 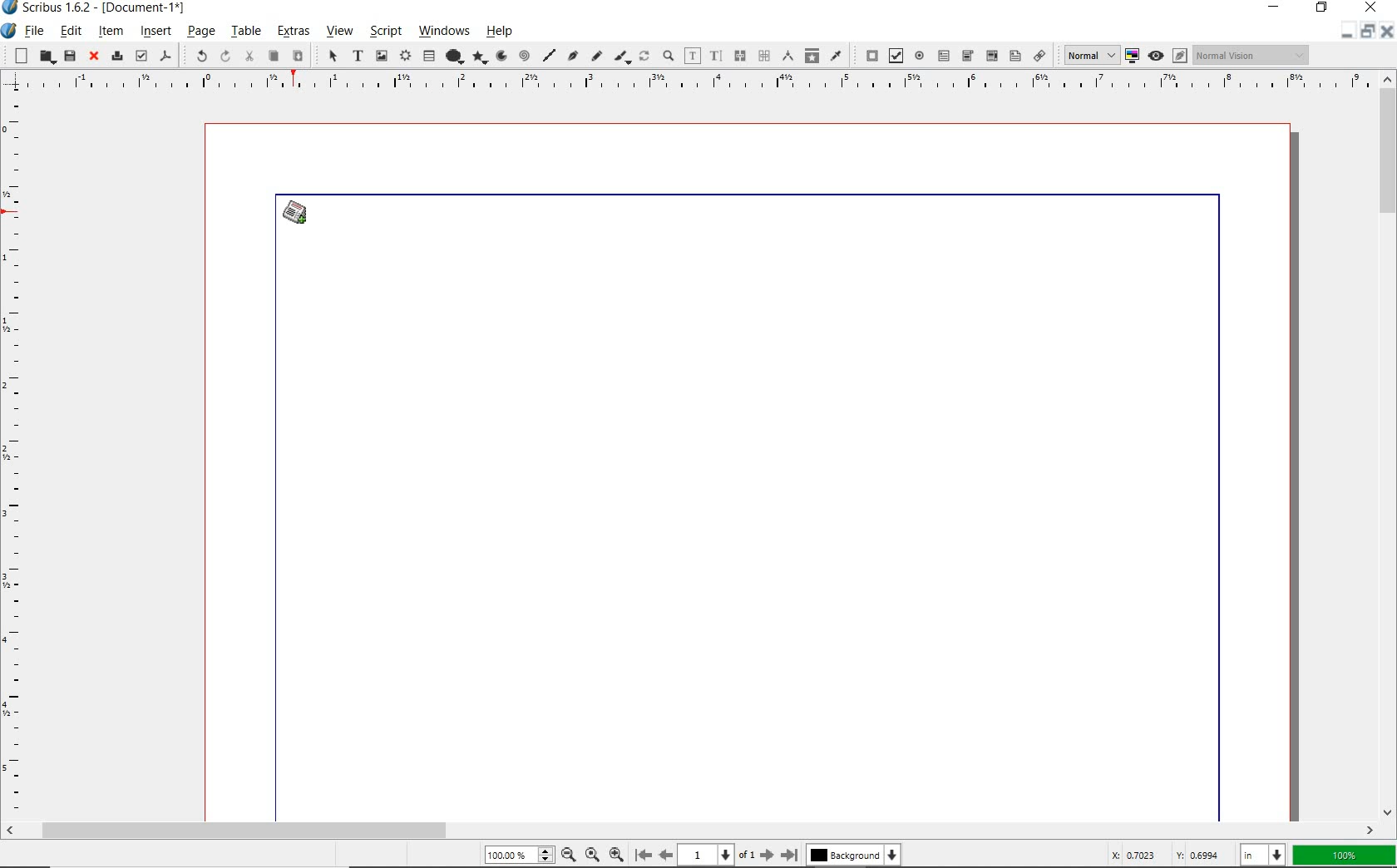 I want to click on eye dropper, so click(x=836, y=56).